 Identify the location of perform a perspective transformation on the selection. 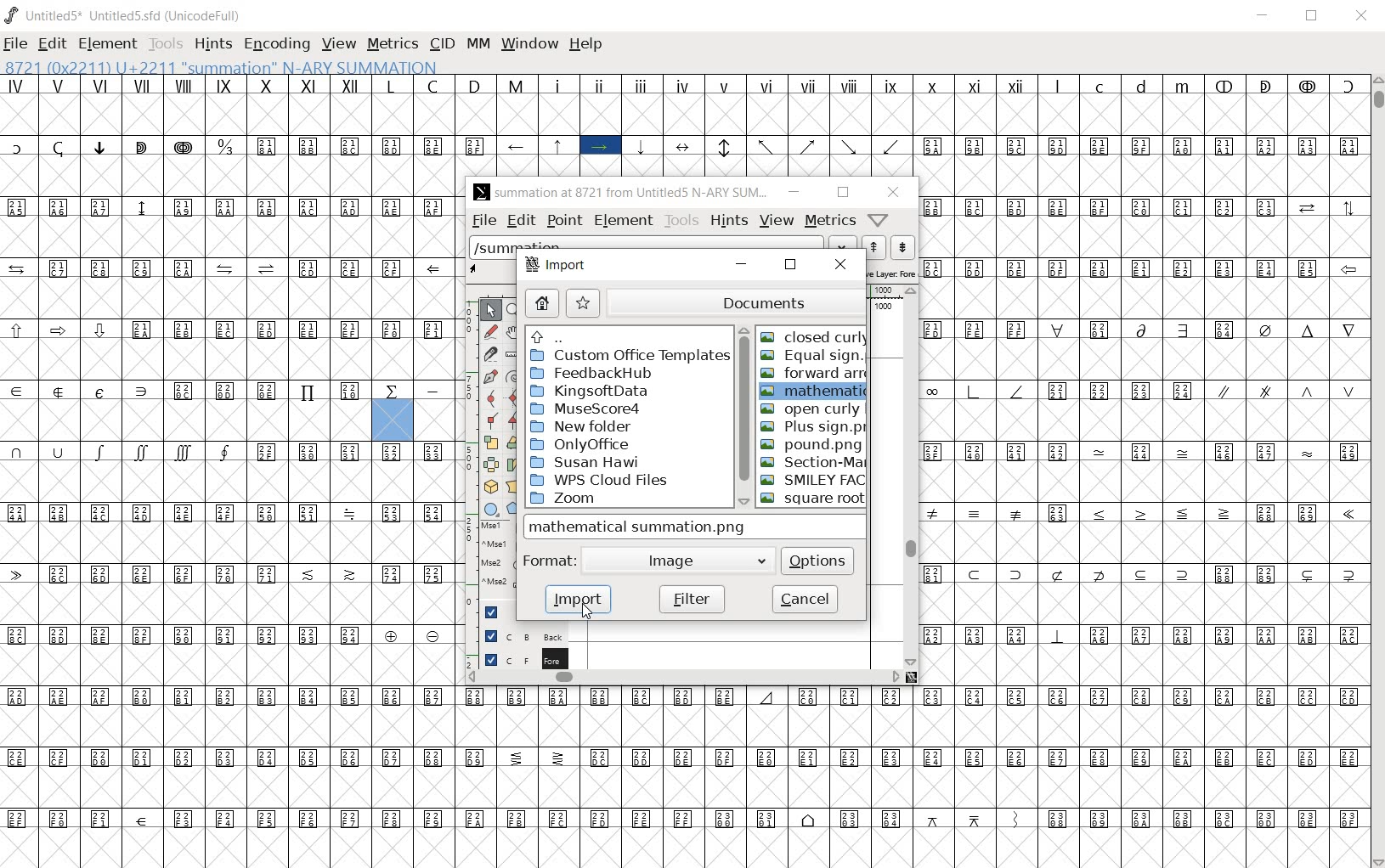
(515, 488).